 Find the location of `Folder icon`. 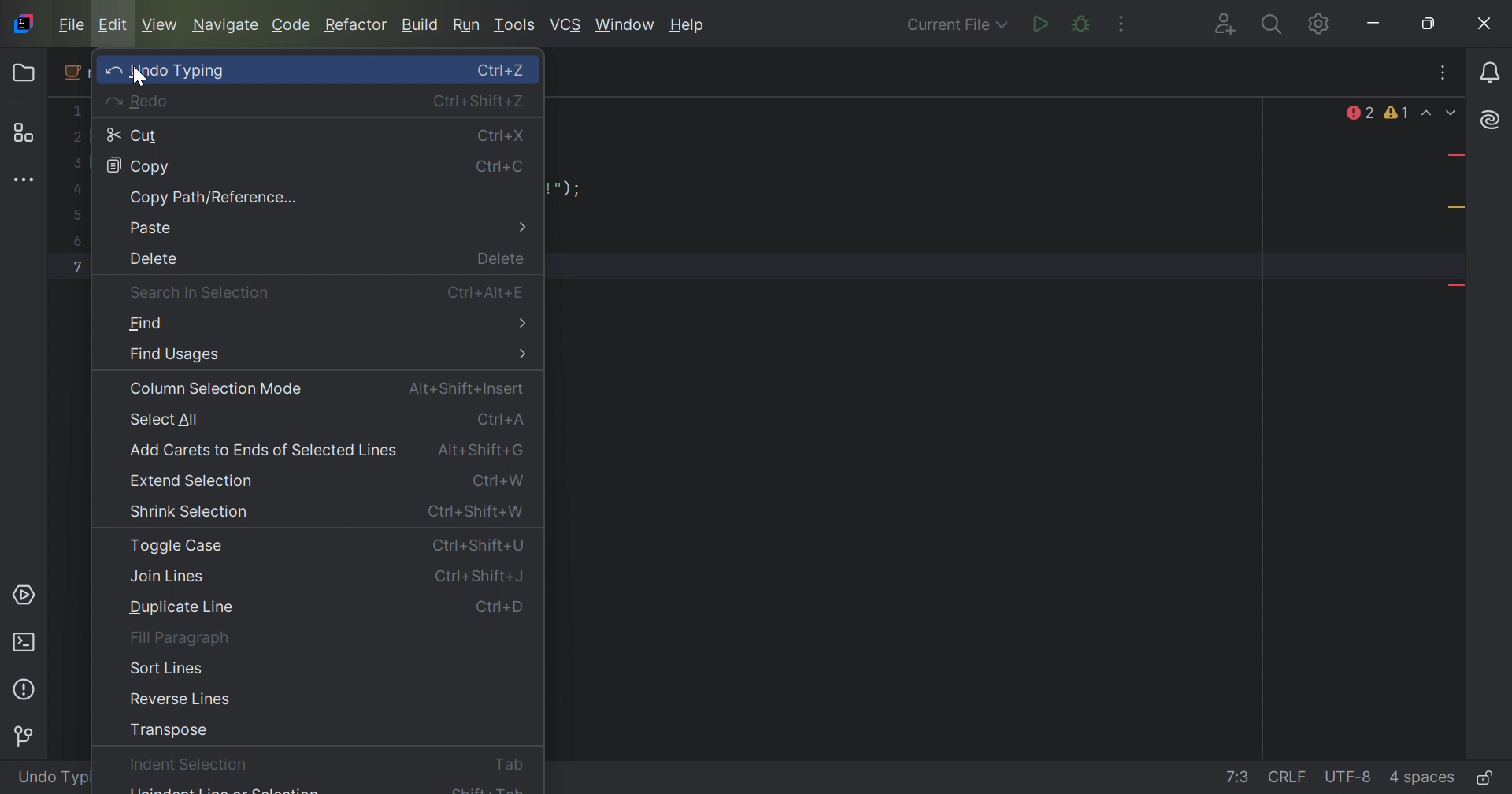

Folder icon is located at coordinates (29, 72).